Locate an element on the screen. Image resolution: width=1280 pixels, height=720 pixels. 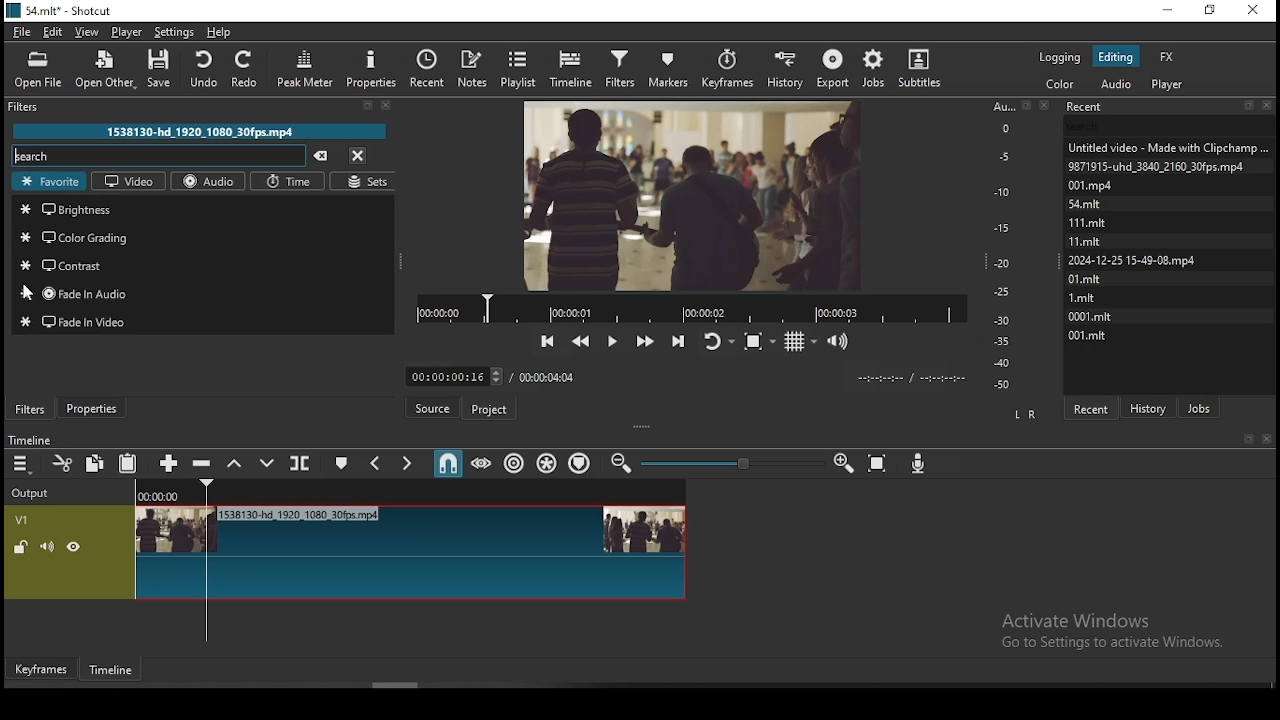
timeline is located at coordinates (114, 674).